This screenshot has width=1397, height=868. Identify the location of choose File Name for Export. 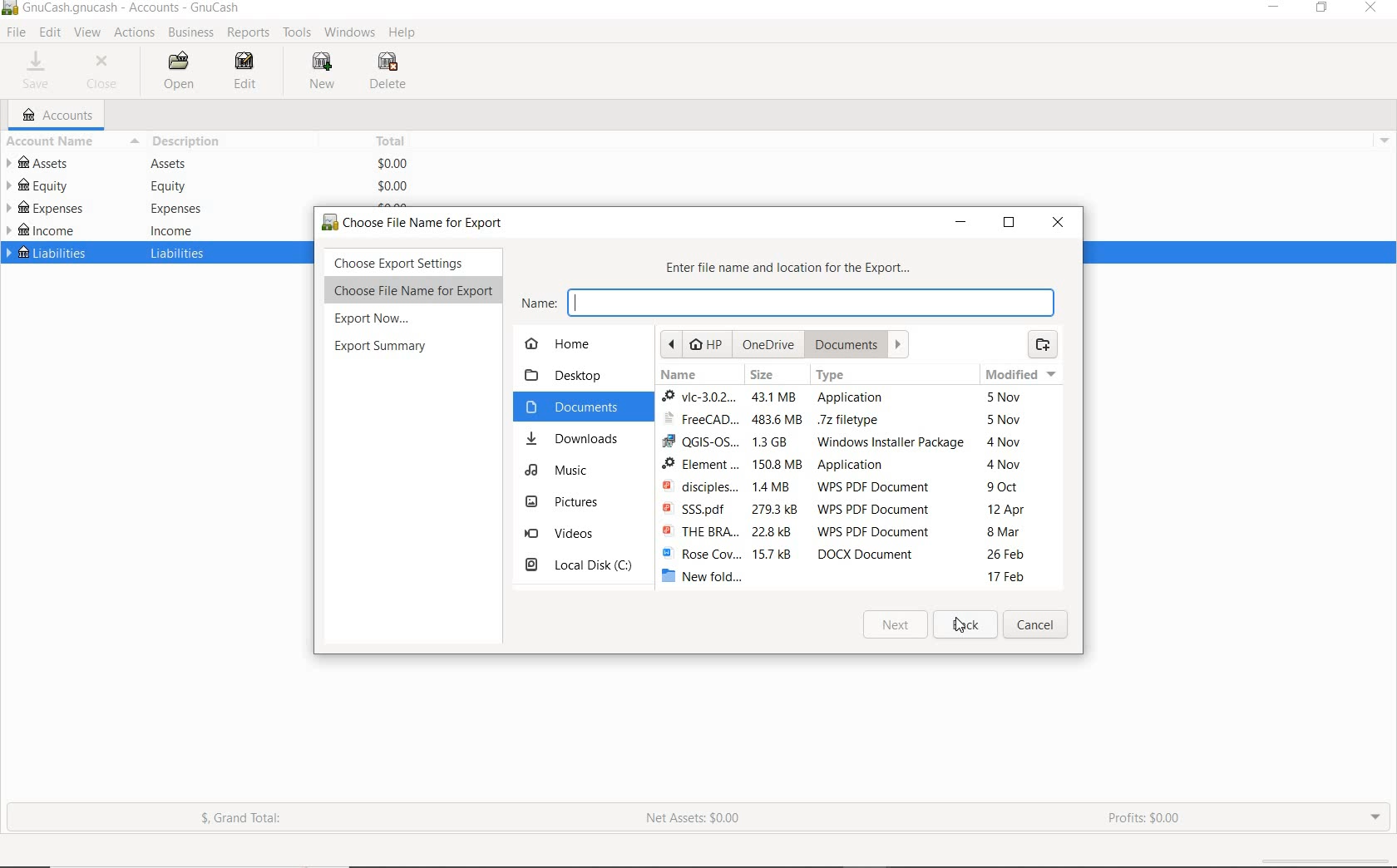
(410, 291).